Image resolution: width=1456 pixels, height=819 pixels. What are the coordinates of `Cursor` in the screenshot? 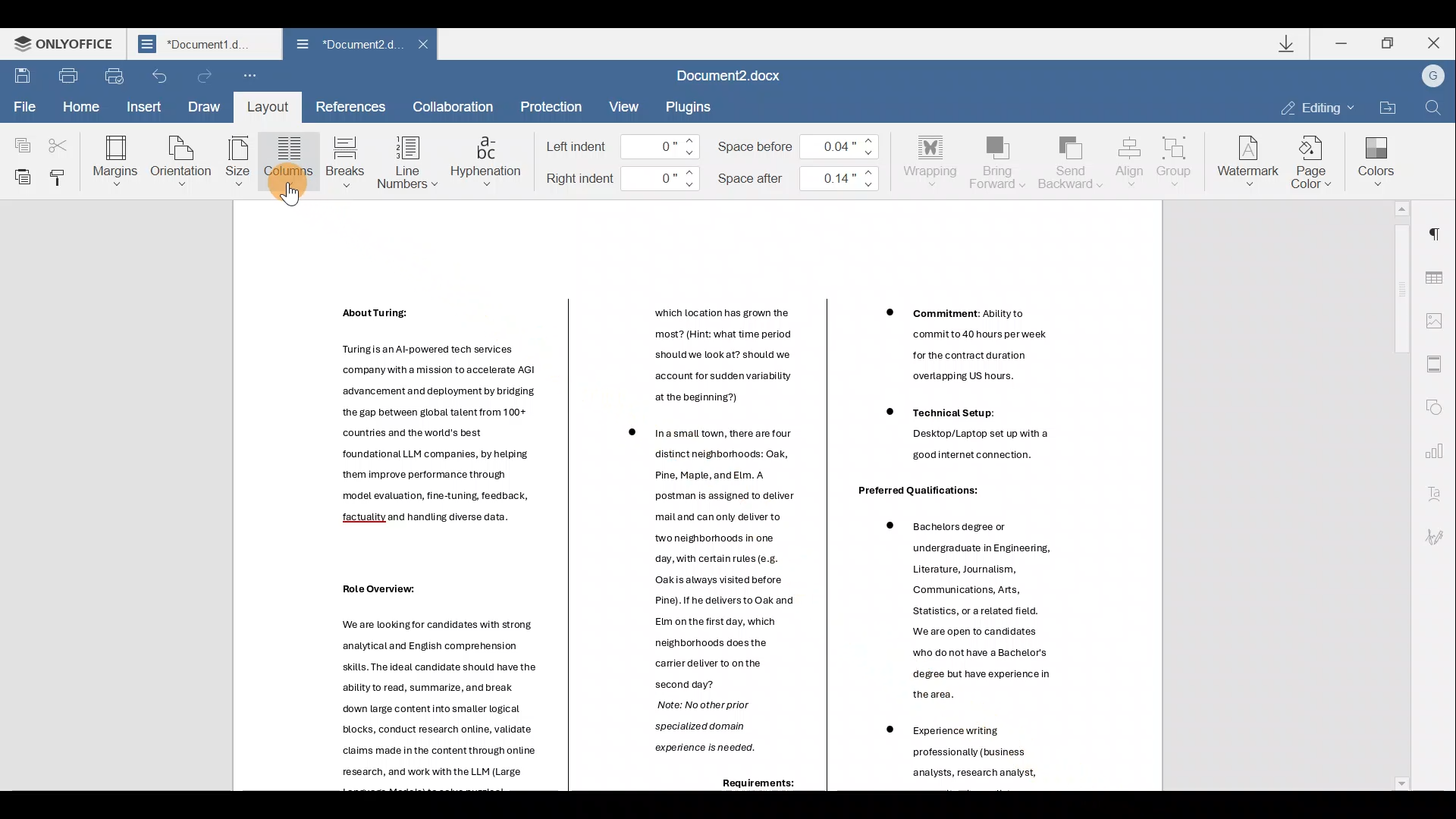 It's located at (295, 196).